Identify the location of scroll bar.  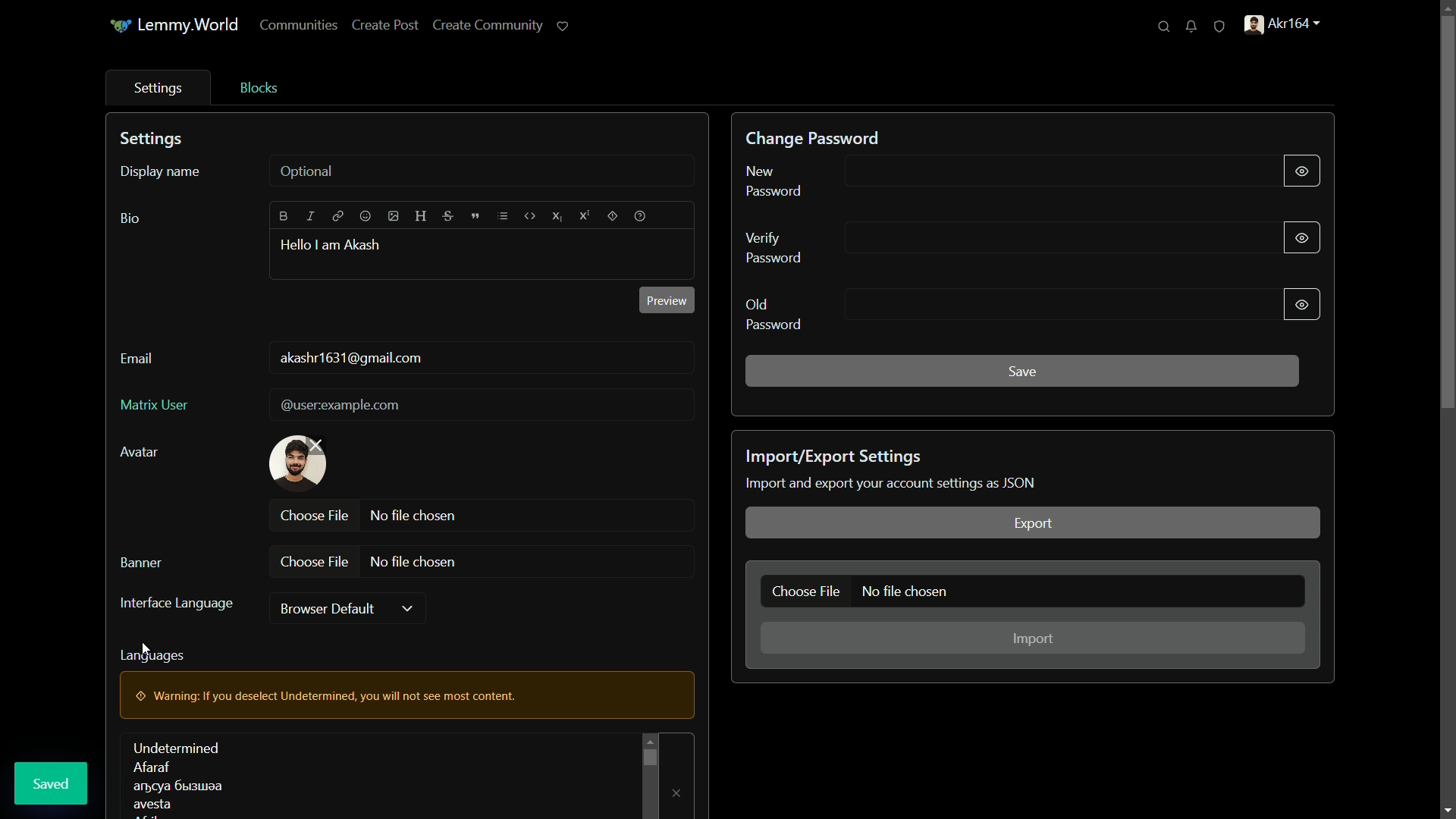
(1447, 211).